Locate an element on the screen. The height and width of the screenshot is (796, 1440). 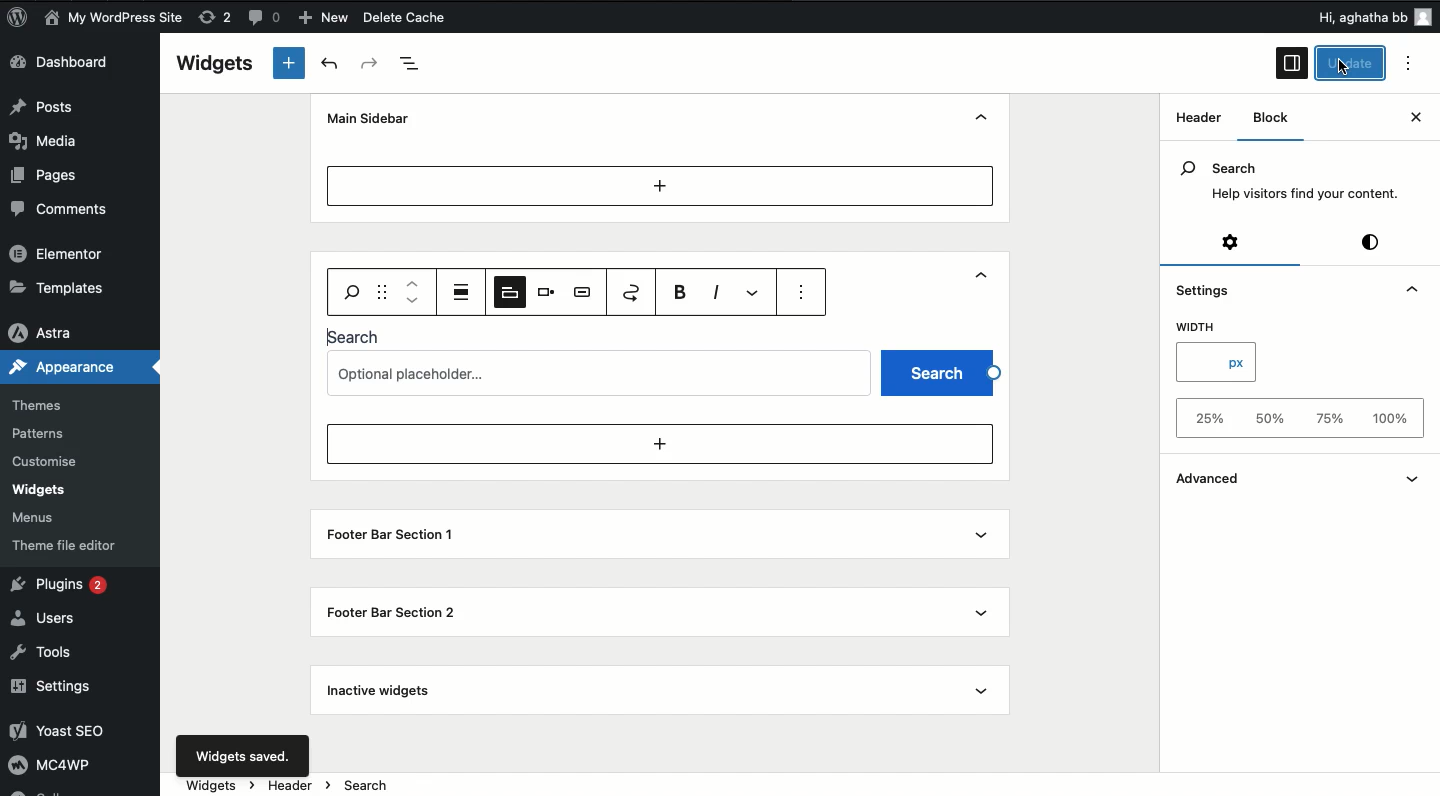
Show is located at coordinates (985, 280).